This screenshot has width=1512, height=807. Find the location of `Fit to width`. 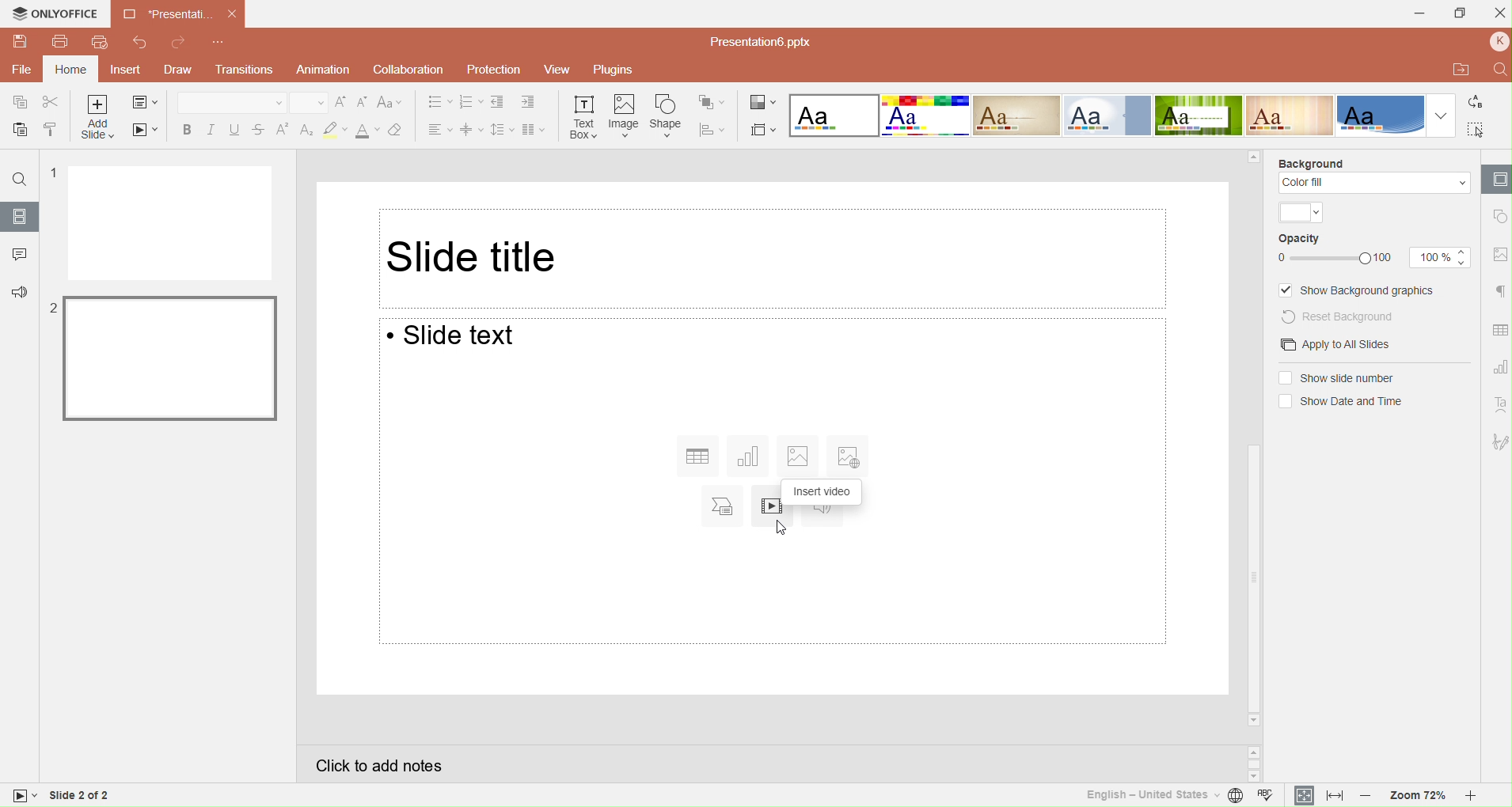

Fit to width is located at coordinates (1332, 795).